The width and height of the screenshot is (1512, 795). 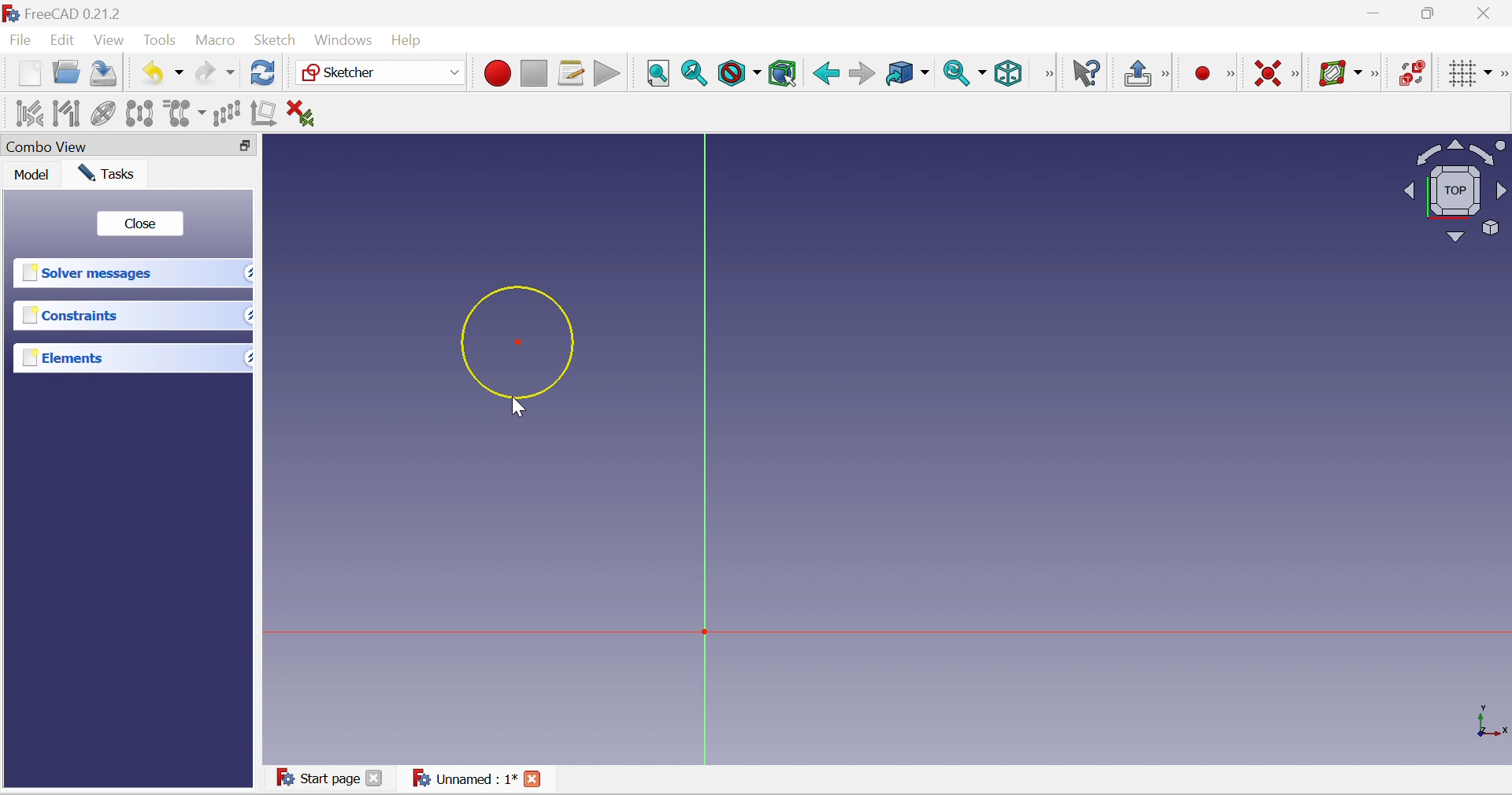 What do you see at coordinates (139, 224) in the screenshot?
I see `close` at bounding box center [139, 224].